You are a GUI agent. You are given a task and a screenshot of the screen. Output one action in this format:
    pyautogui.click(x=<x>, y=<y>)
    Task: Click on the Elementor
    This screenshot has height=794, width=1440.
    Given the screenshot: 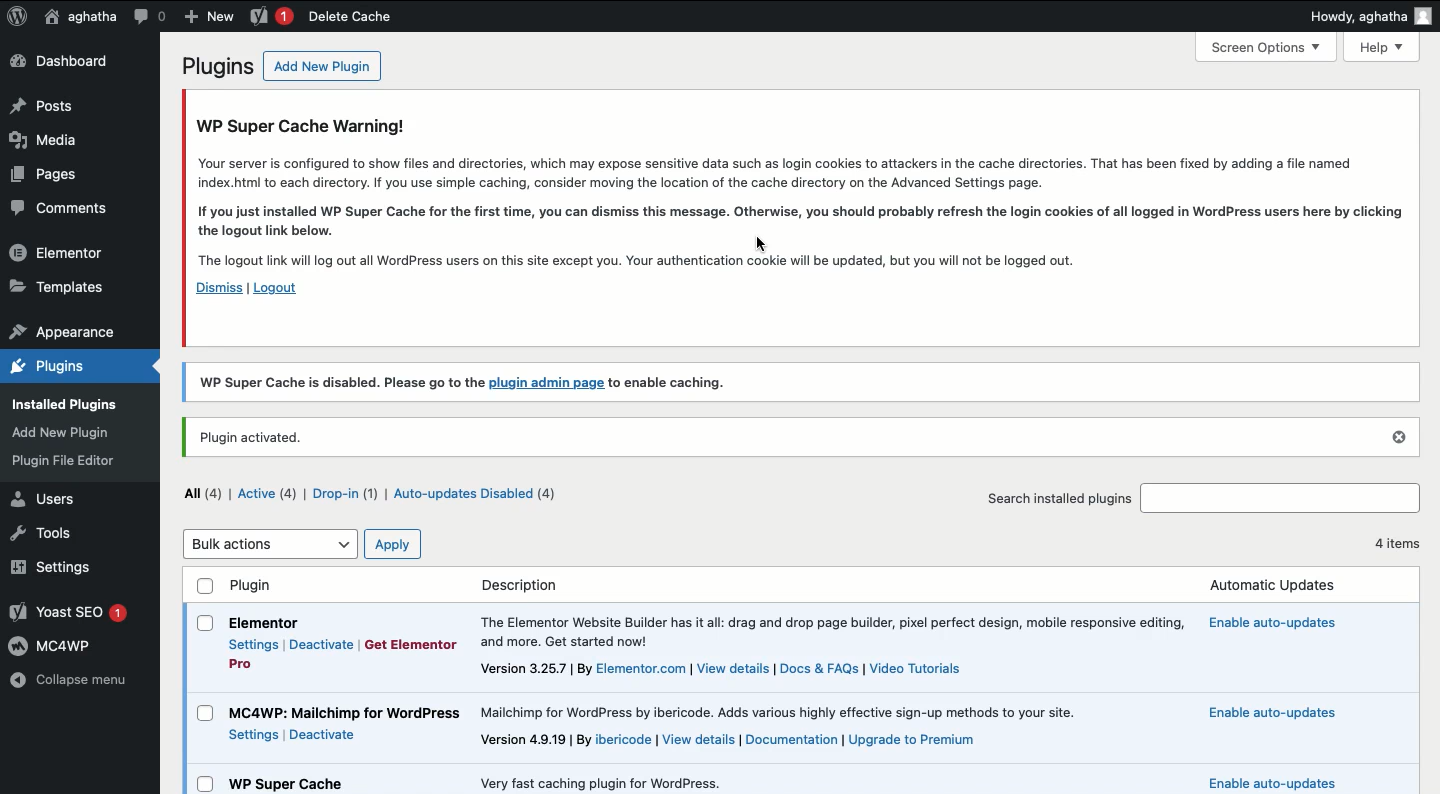 What is the action you would take?
    pyautogui.click(x=61, y=252)
    